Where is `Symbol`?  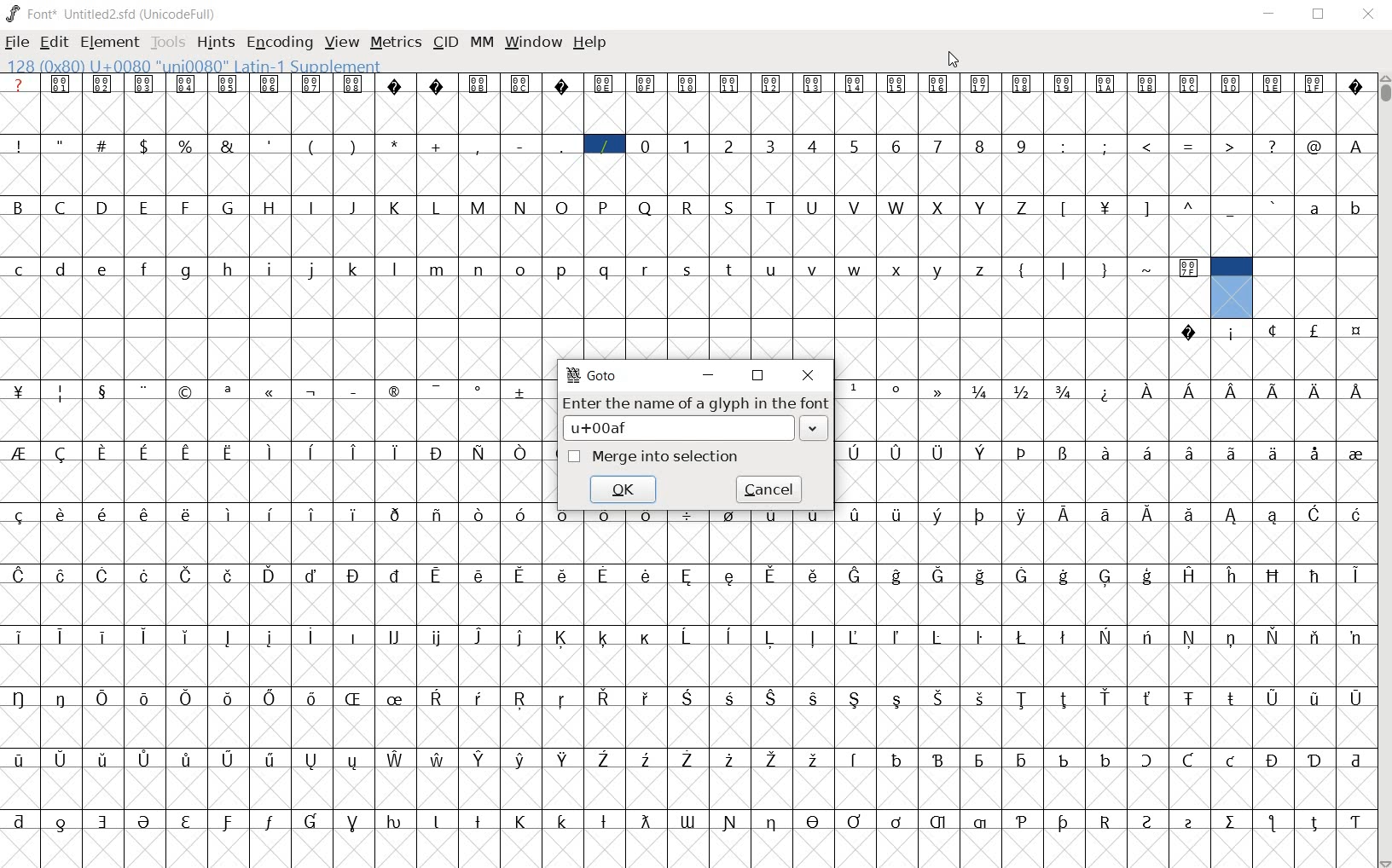 Symbol is located at coordinates (1106, 205).